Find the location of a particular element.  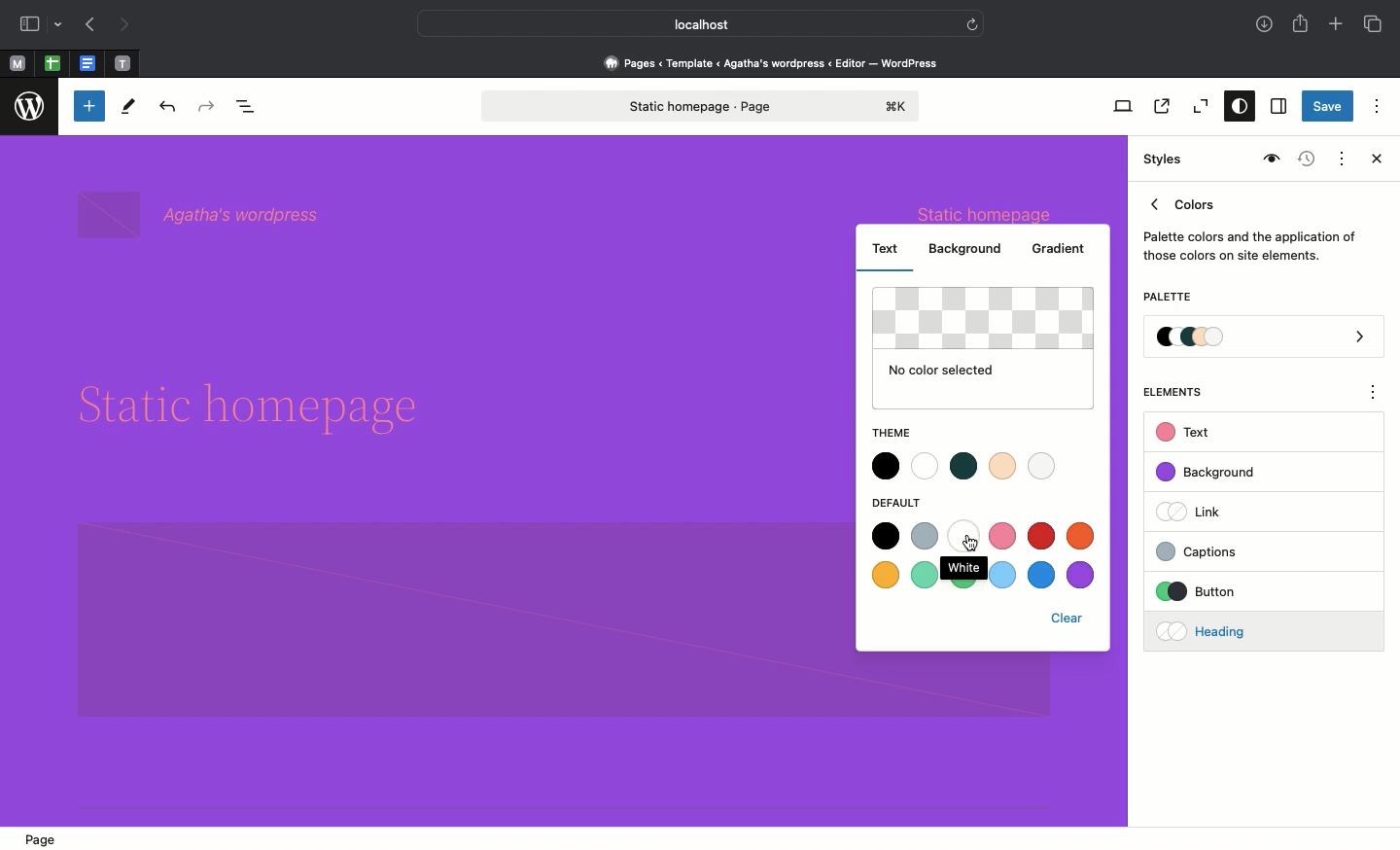

Text is located at coordinates (1186, 433).